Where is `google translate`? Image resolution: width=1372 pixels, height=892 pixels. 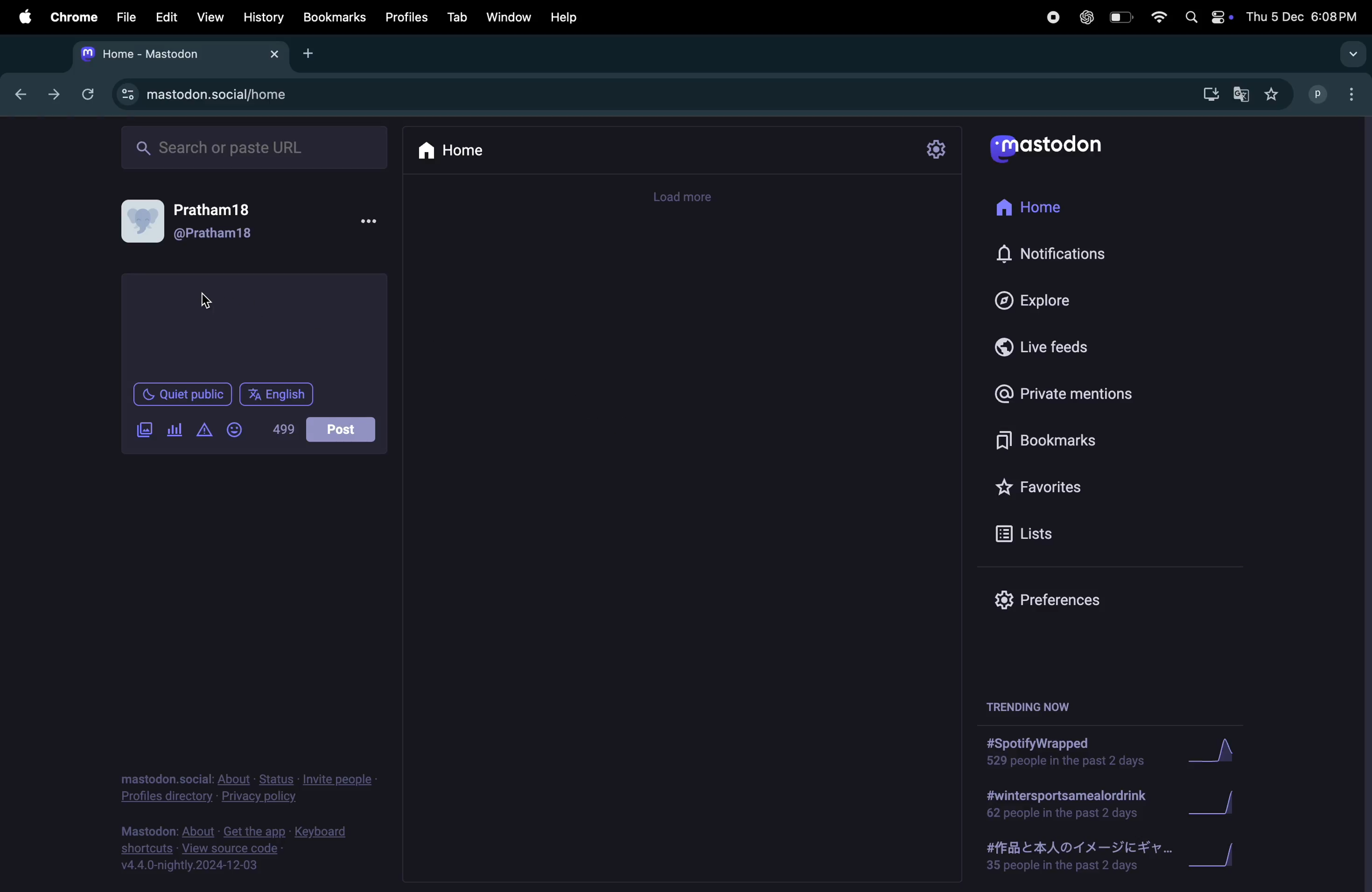
google translate is located at coordinates (1245, 96).